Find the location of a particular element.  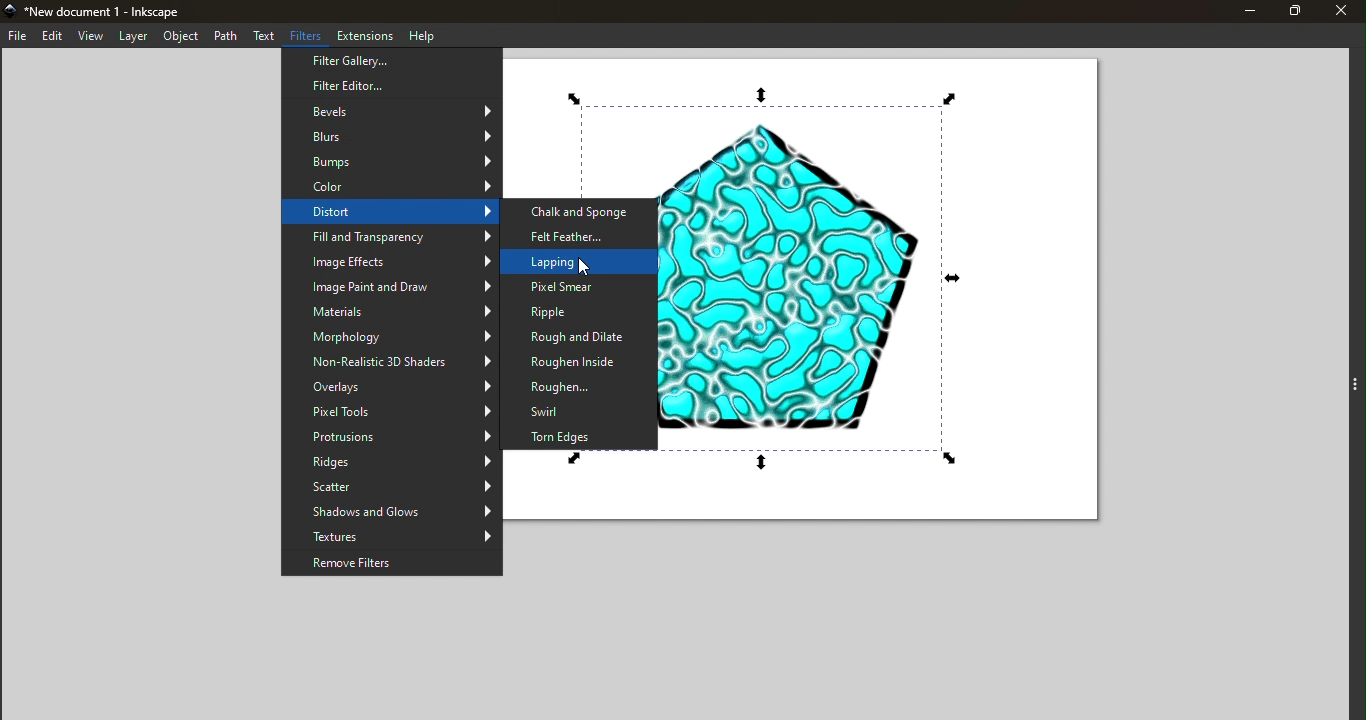

Extensions is located at coordinates (366, 34).